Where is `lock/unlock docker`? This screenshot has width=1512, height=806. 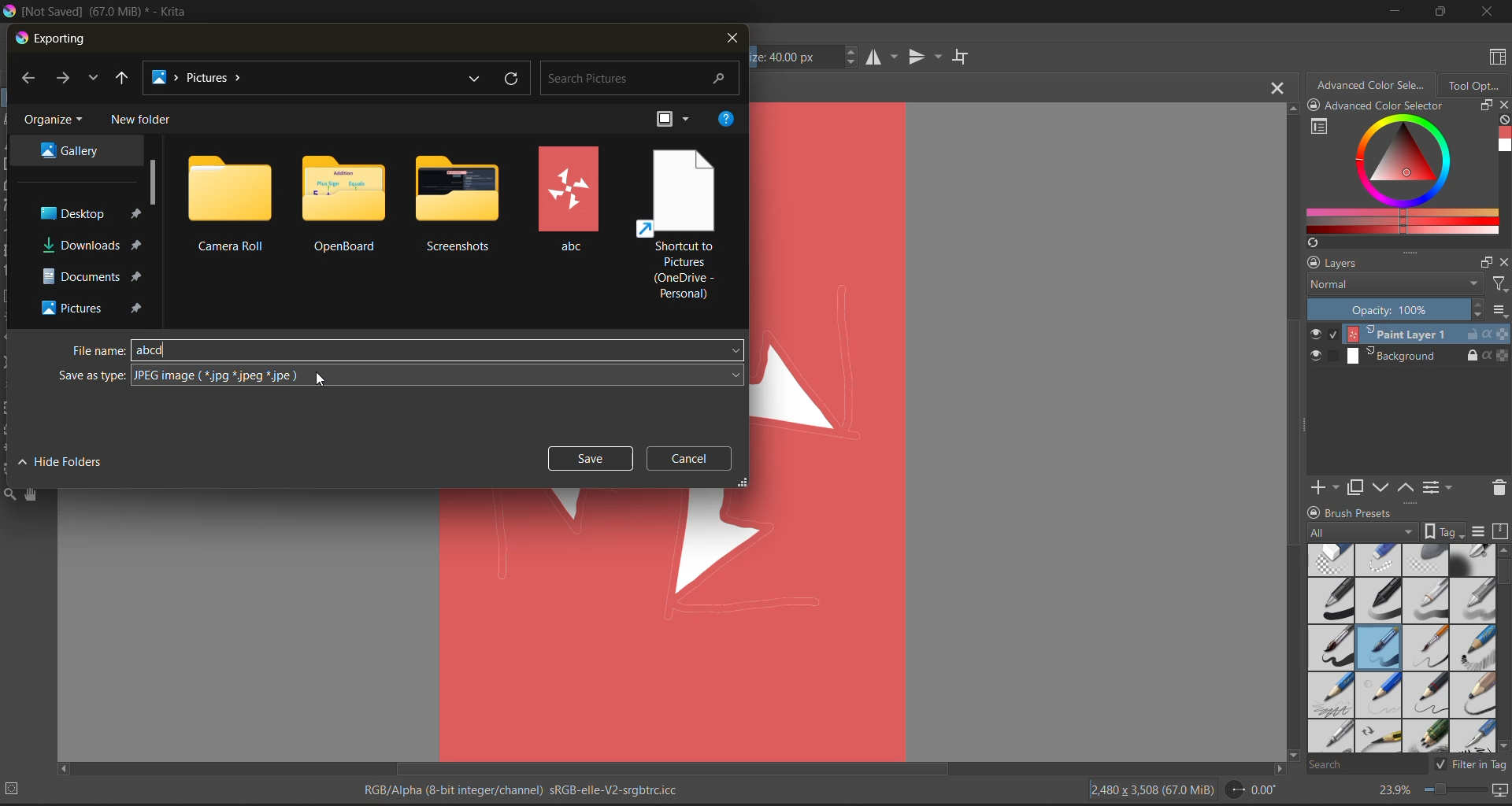 lock/unlock docker is located at coordinates (1314, 511).